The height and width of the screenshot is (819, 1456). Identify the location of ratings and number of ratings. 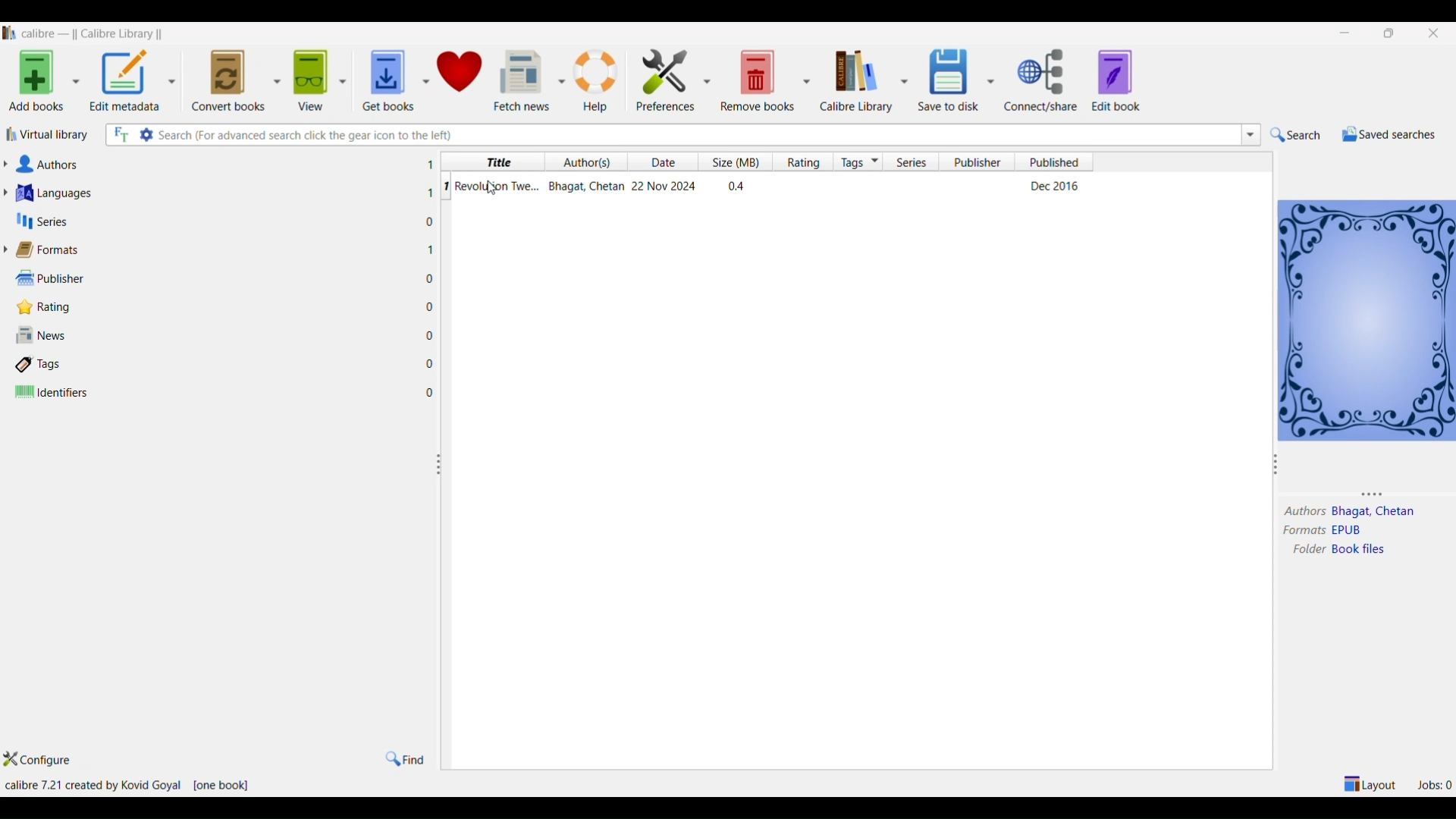
(49, 306).